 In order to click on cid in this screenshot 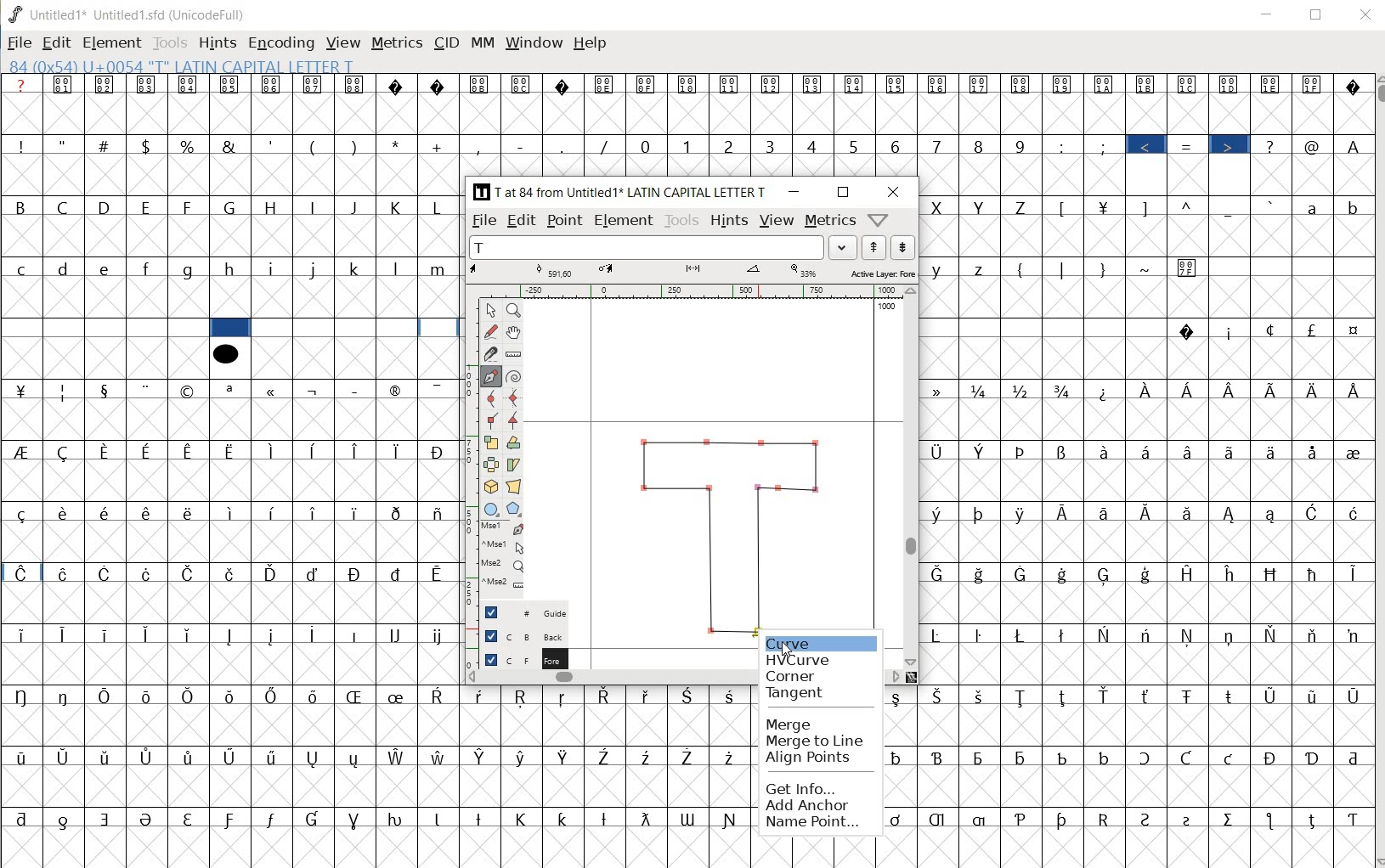, I will do `click(444, 46)`.